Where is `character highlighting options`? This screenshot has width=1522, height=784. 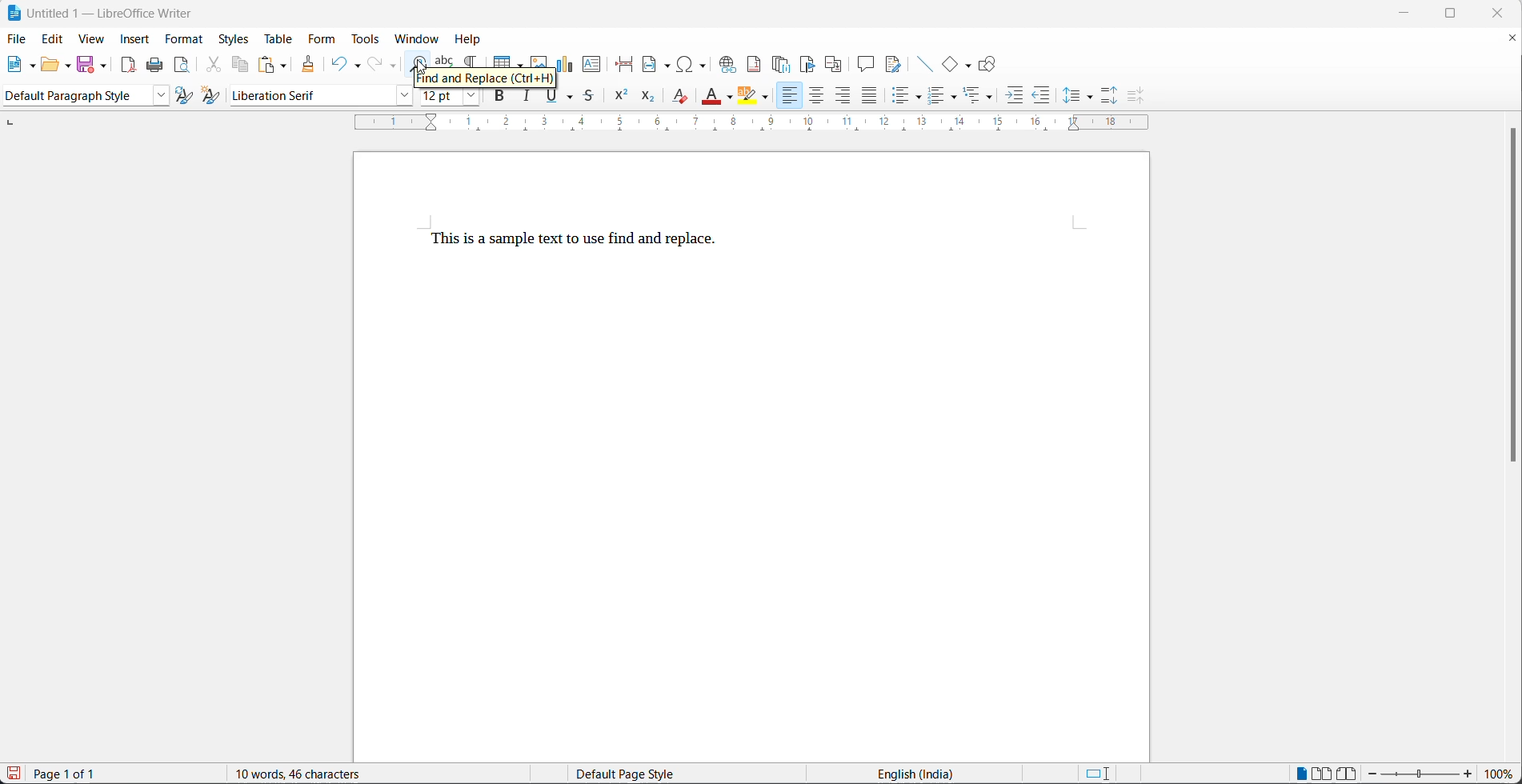 character highlighting options is located at coordinates (768, 98).